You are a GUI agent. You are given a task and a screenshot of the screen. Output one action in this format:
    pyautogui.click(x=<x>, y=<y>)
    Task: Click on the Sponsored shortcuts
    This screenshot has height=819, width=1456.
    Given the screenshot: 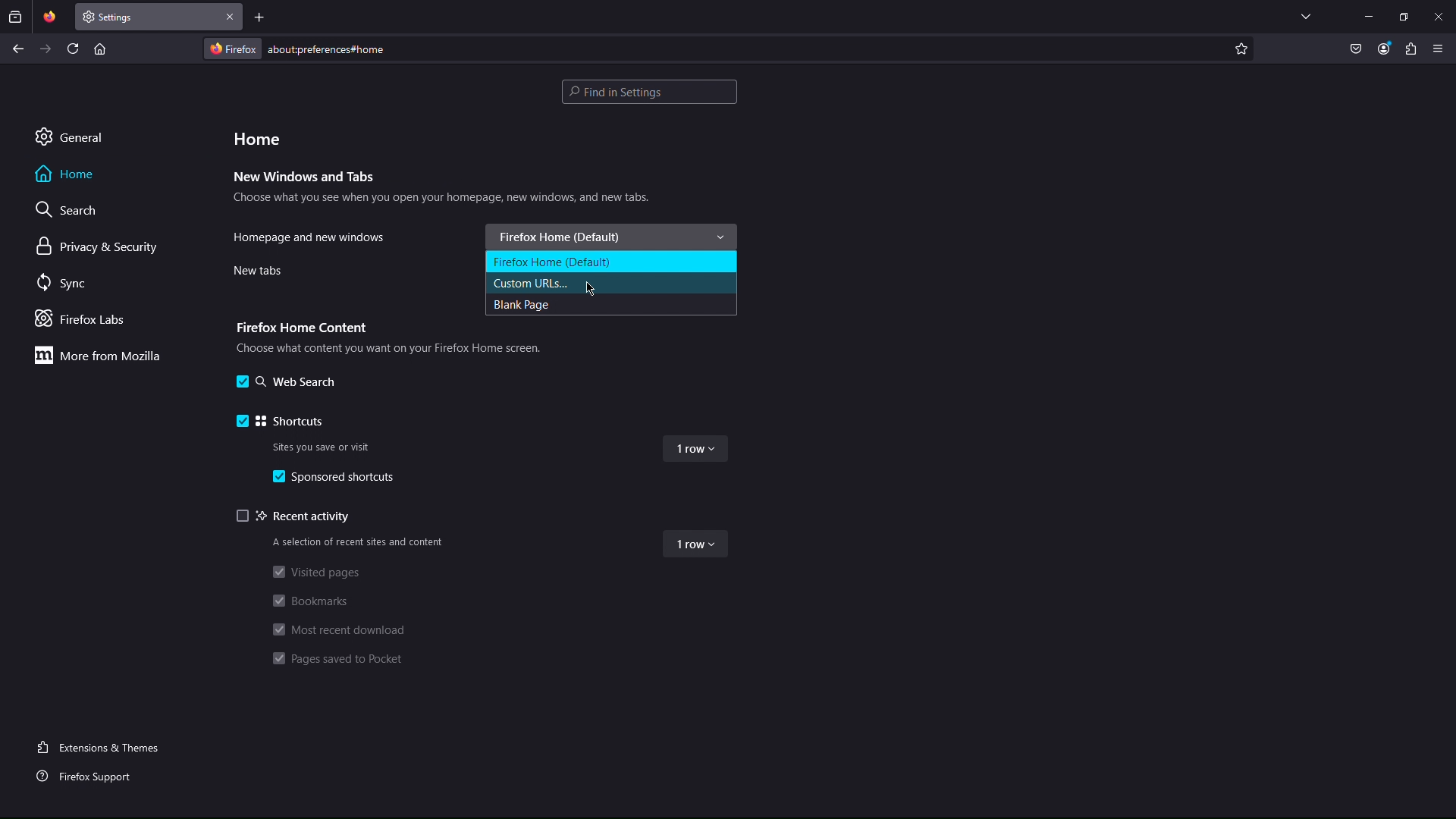 What is the action you would take?
    pyautogui.click(x=337, y=476)
    